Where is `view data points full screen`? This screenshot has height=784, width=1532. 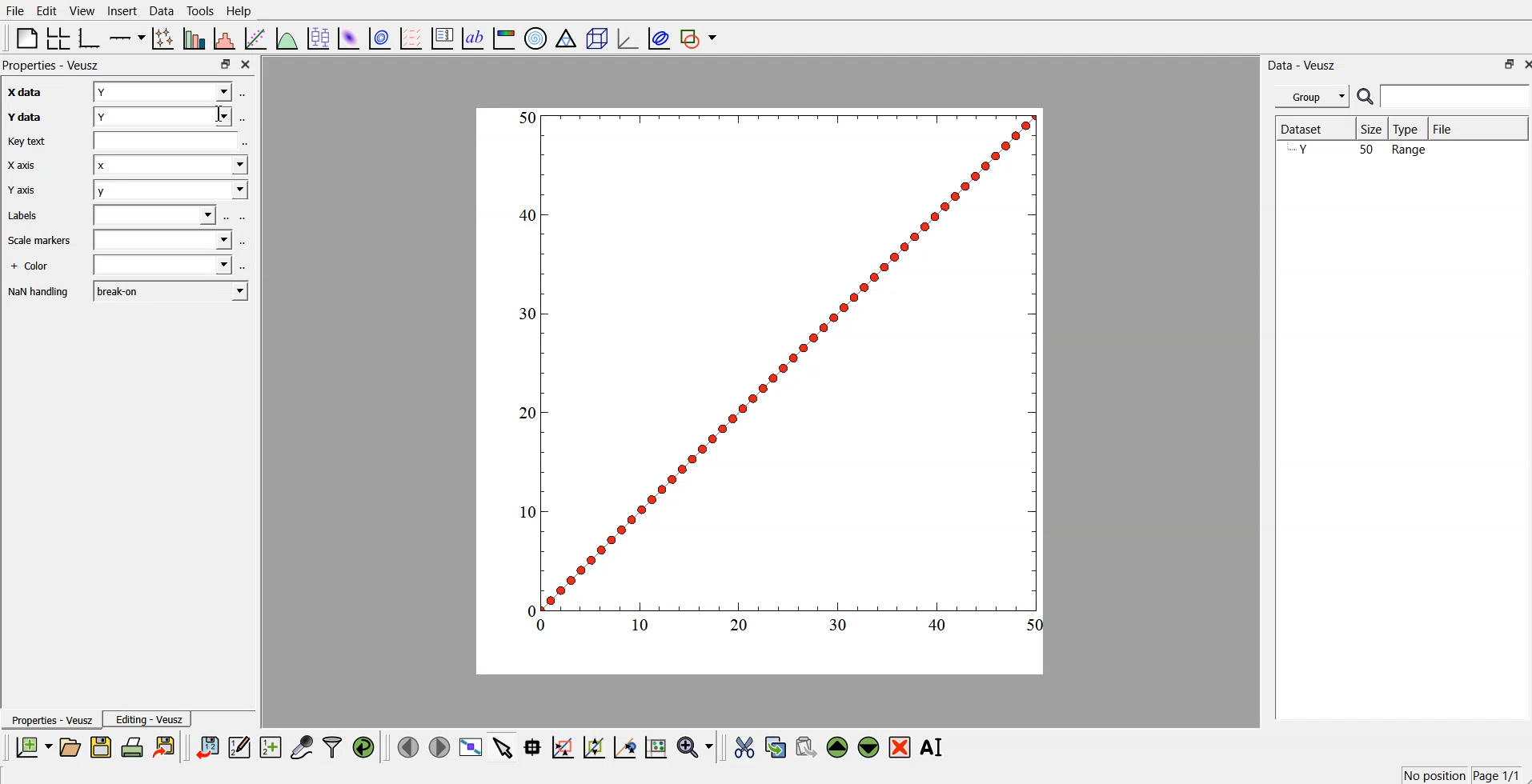 view data points full screen is located at coordinates (468, 748).